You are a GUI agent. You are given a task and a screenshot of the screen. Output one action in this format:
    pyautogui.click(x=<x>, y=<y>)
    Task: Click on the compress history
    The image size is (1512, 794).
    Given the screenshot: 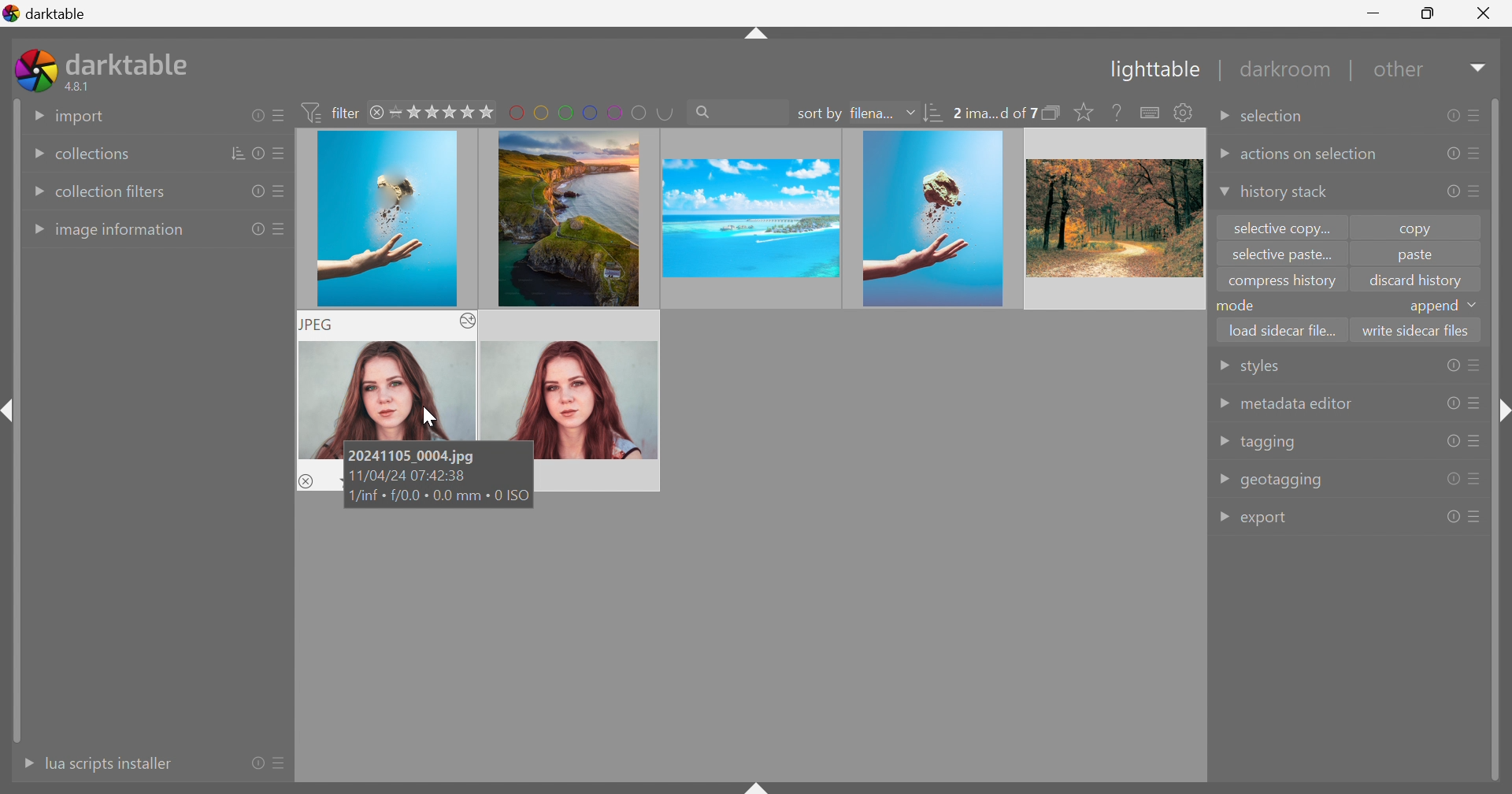 What is the action you would take?
    pyautogui.click(x=1282, y=283)
    